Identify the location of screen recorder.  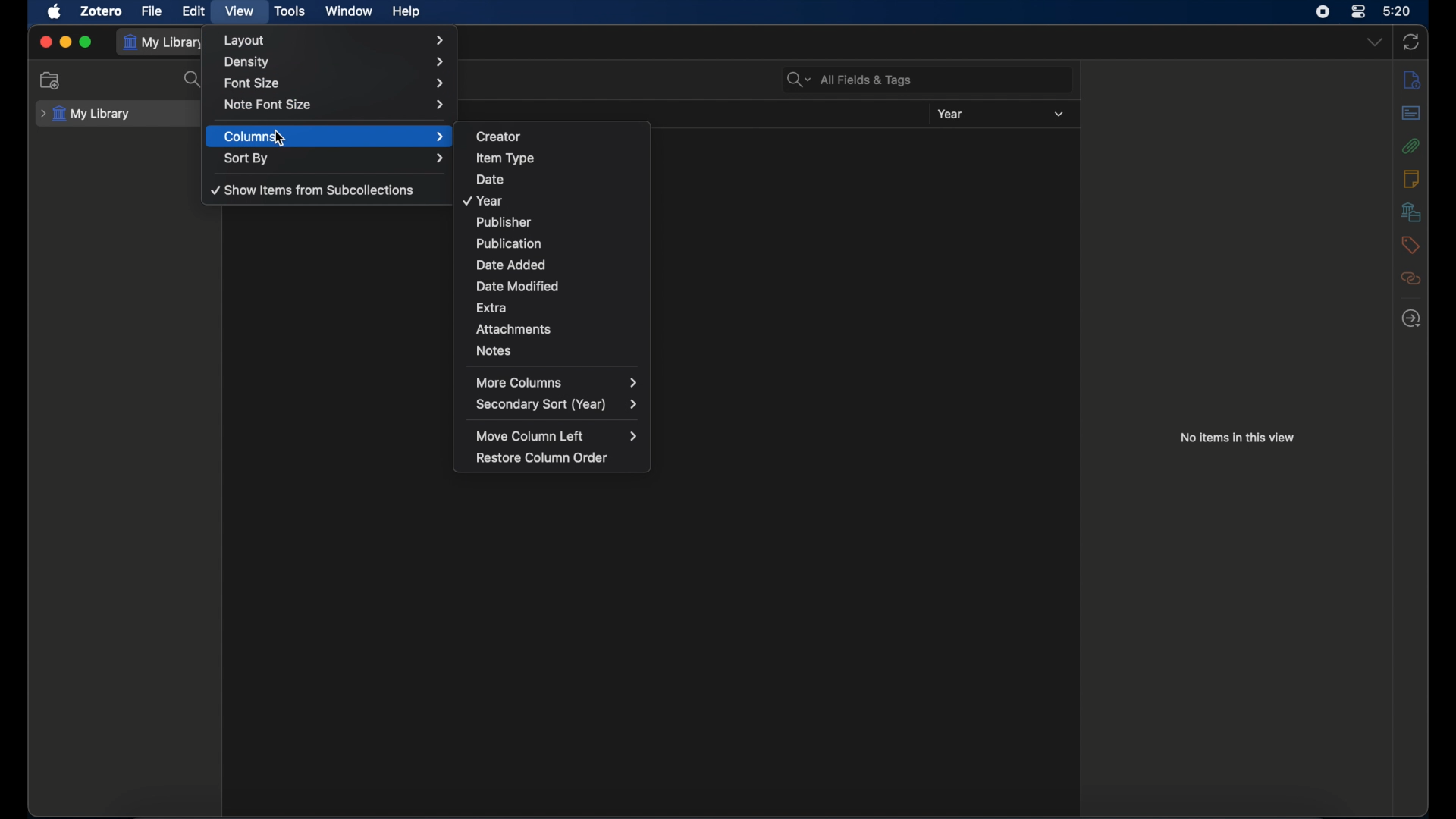
(1323, 11).